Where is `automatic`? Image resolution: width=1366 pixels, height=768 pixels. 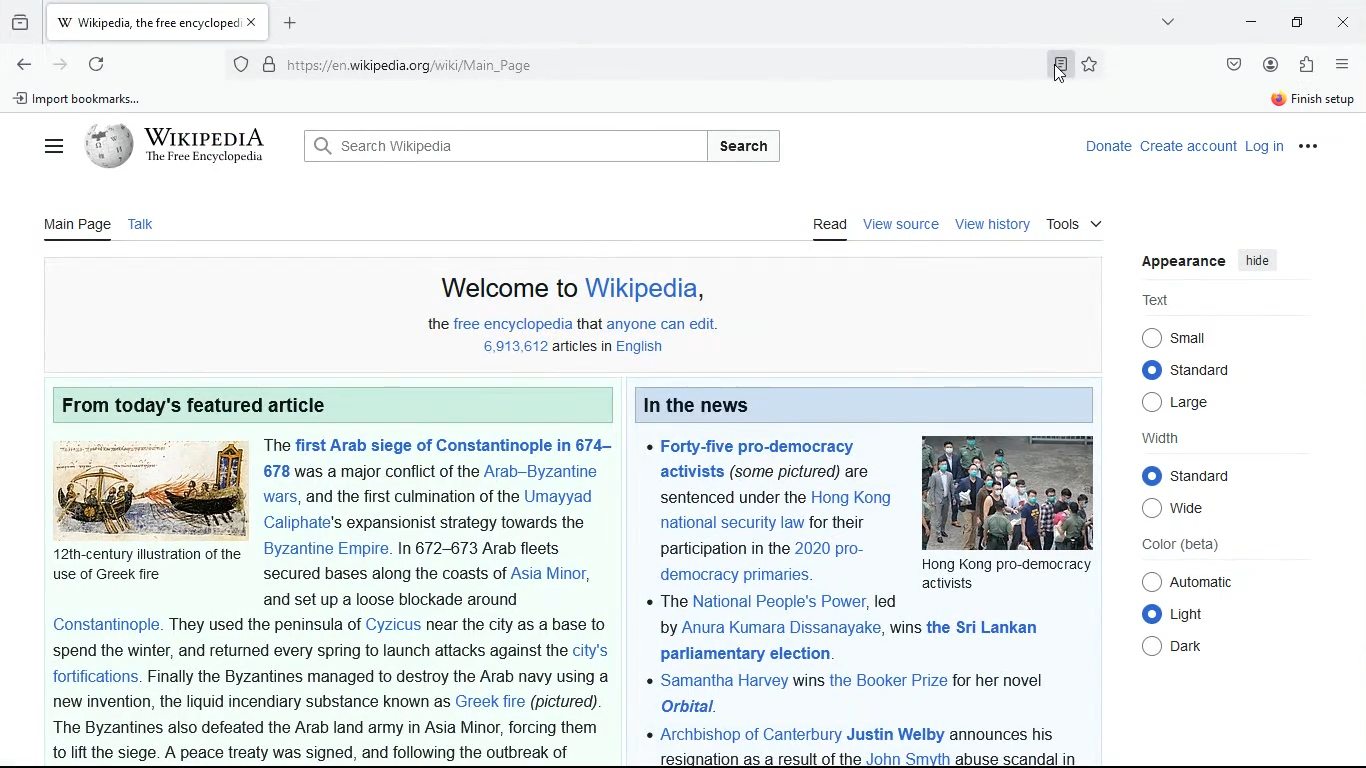 automatic is located at coordinates (1188, 580).